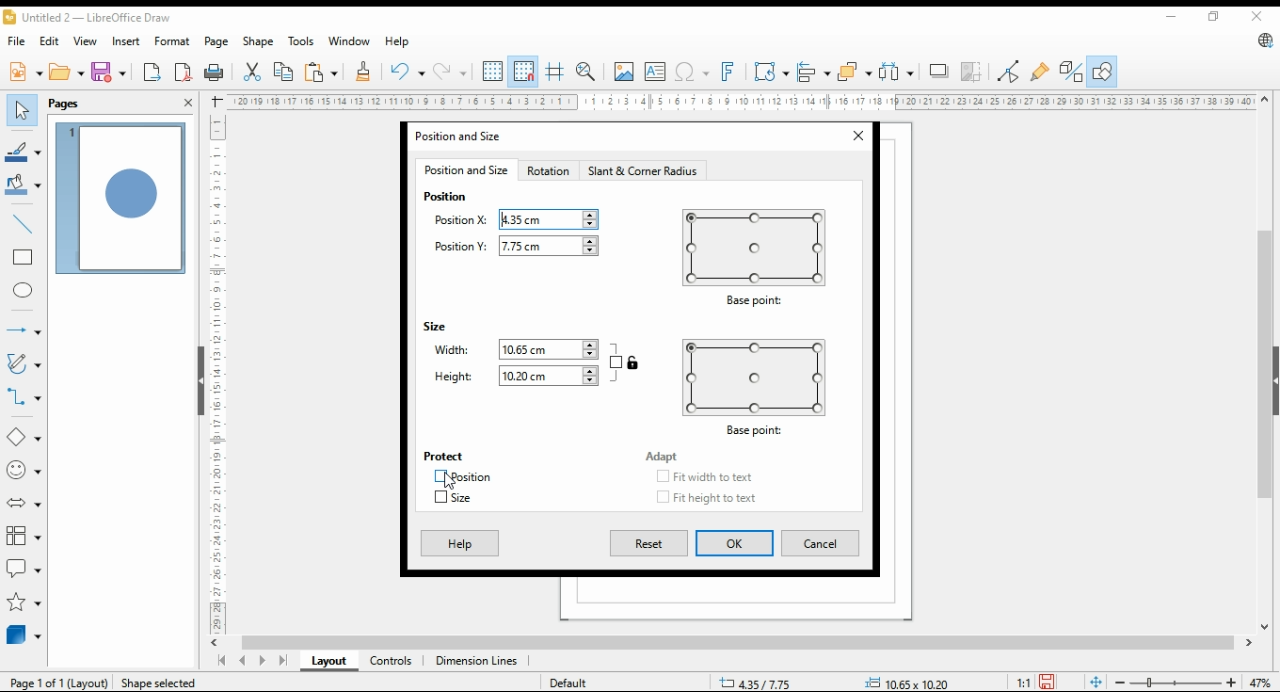 The width and height of the screenshot is (1280, 692). What do you see at coordinates (160, 682) in the screenshot?
I see `Shape selected` at bounding box center [160, 682].